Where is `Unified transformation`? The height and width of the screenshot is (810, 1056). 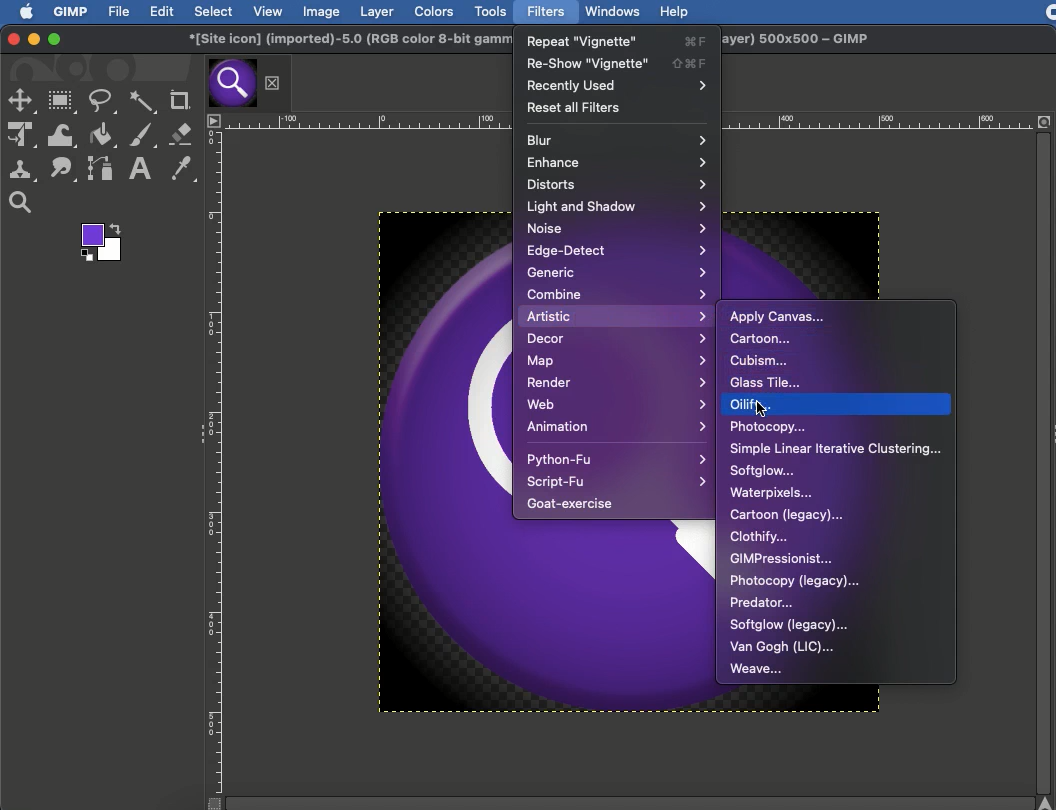 Unified transformation is located at coordinates (21, 136).